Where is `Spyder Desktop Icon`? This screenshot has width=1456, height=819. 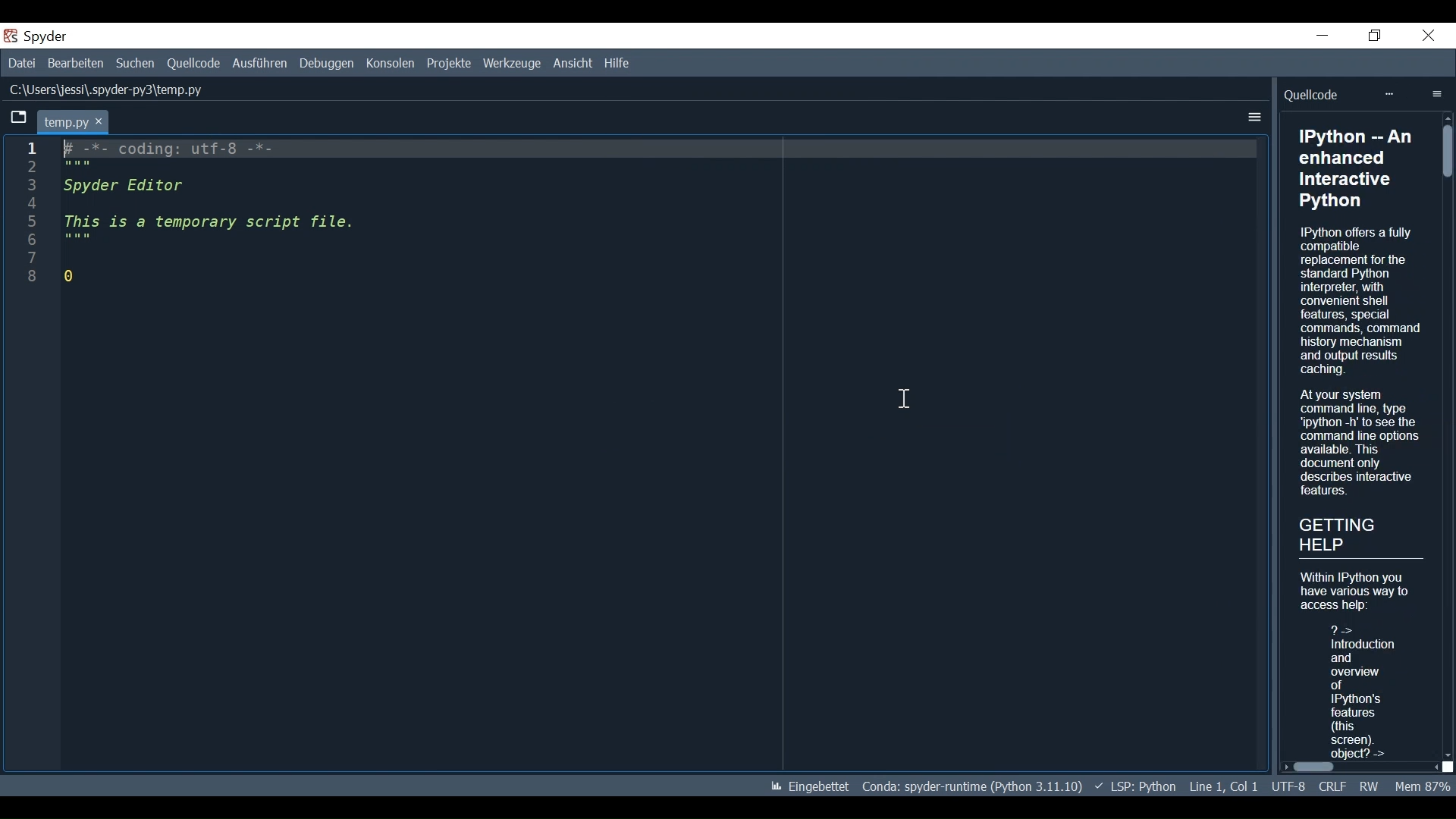
Spyder Desktop Icon is located at coordinates (12, 36).